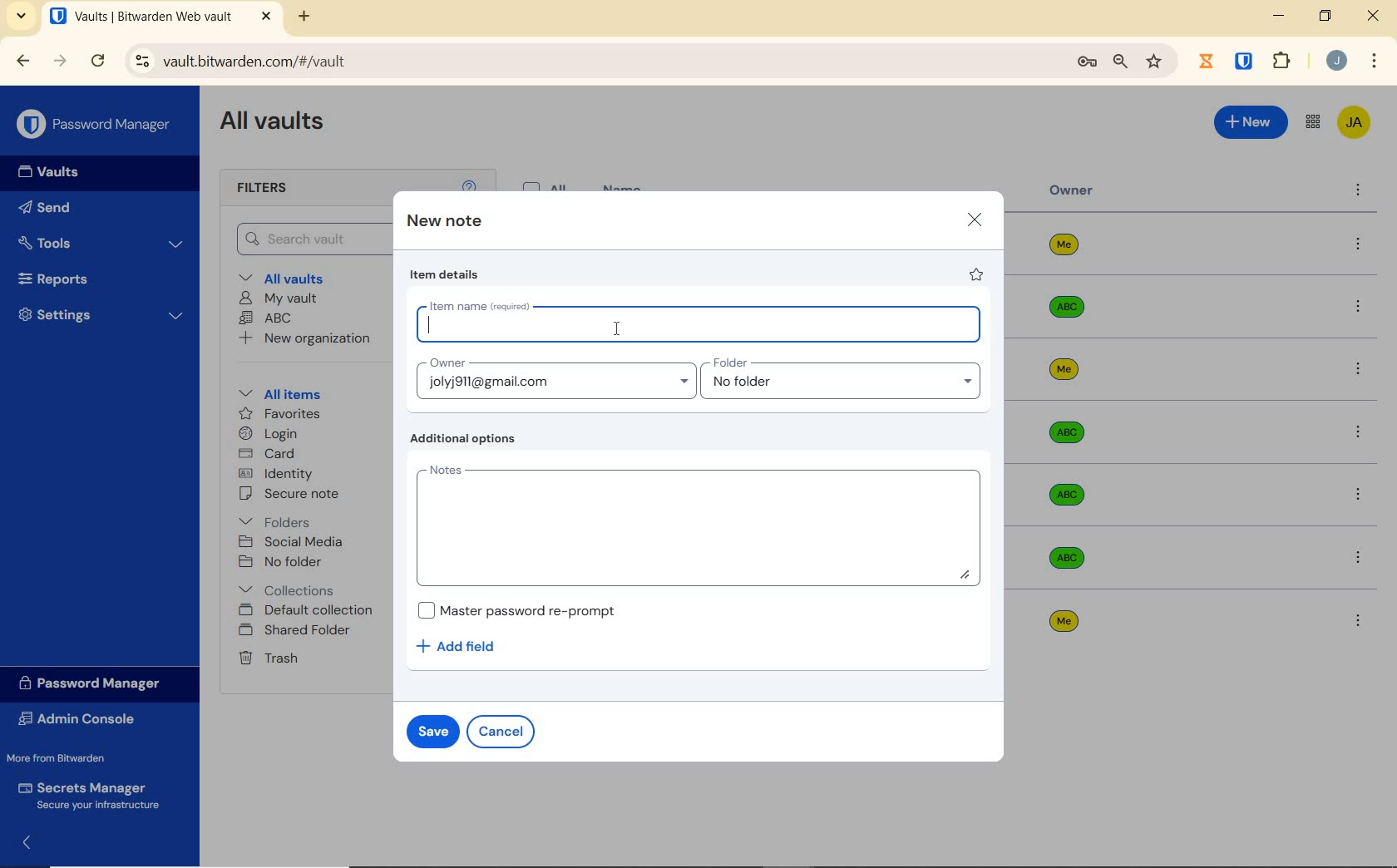 The width and height of the screenshot is (1397, 868). Describe the element at coordinates (624, 186) in the screenshot. I see `name` at that location.